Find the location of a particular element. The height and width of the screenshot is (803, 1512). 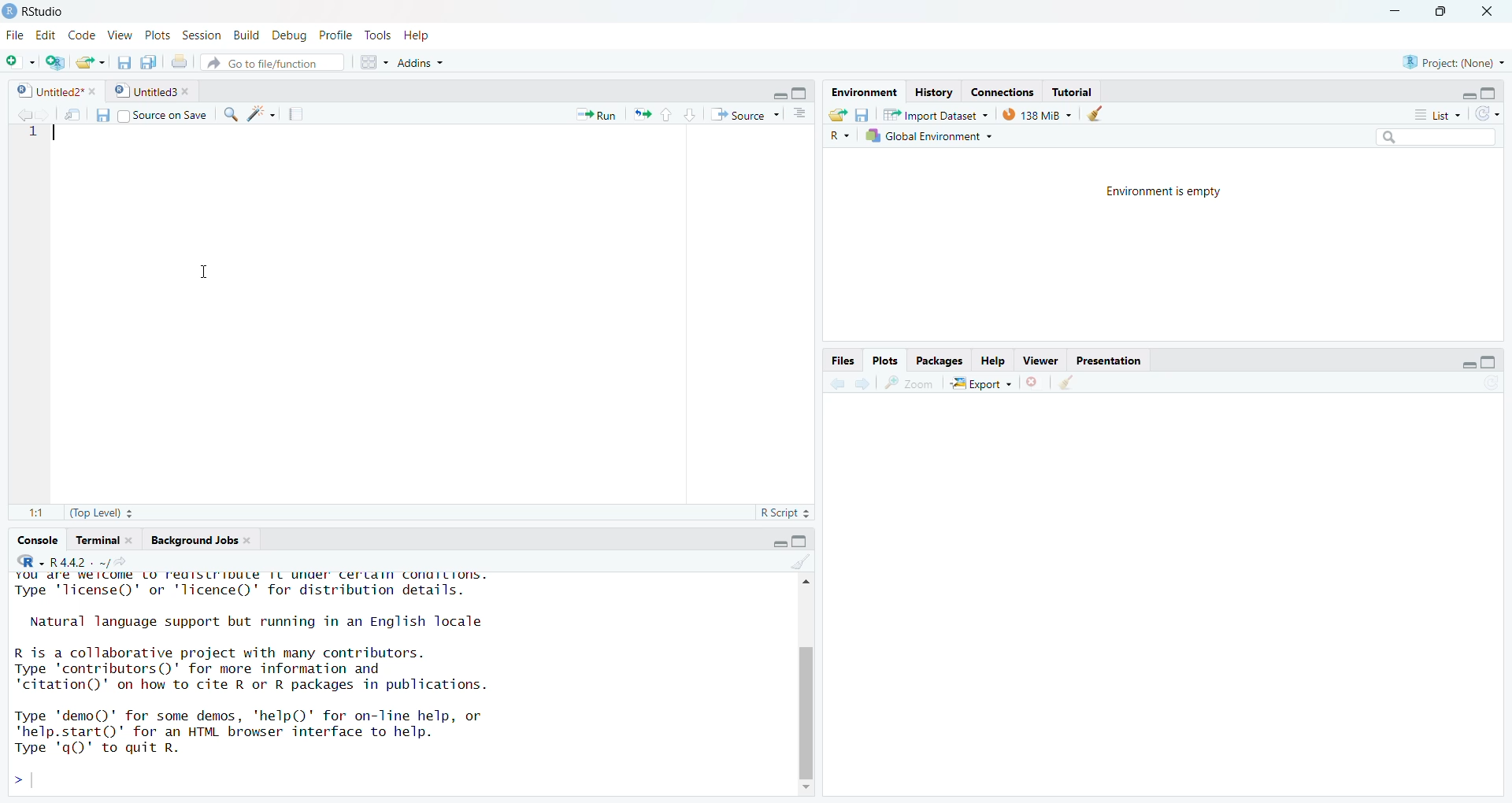

Files is located at coordinates (842, 359).